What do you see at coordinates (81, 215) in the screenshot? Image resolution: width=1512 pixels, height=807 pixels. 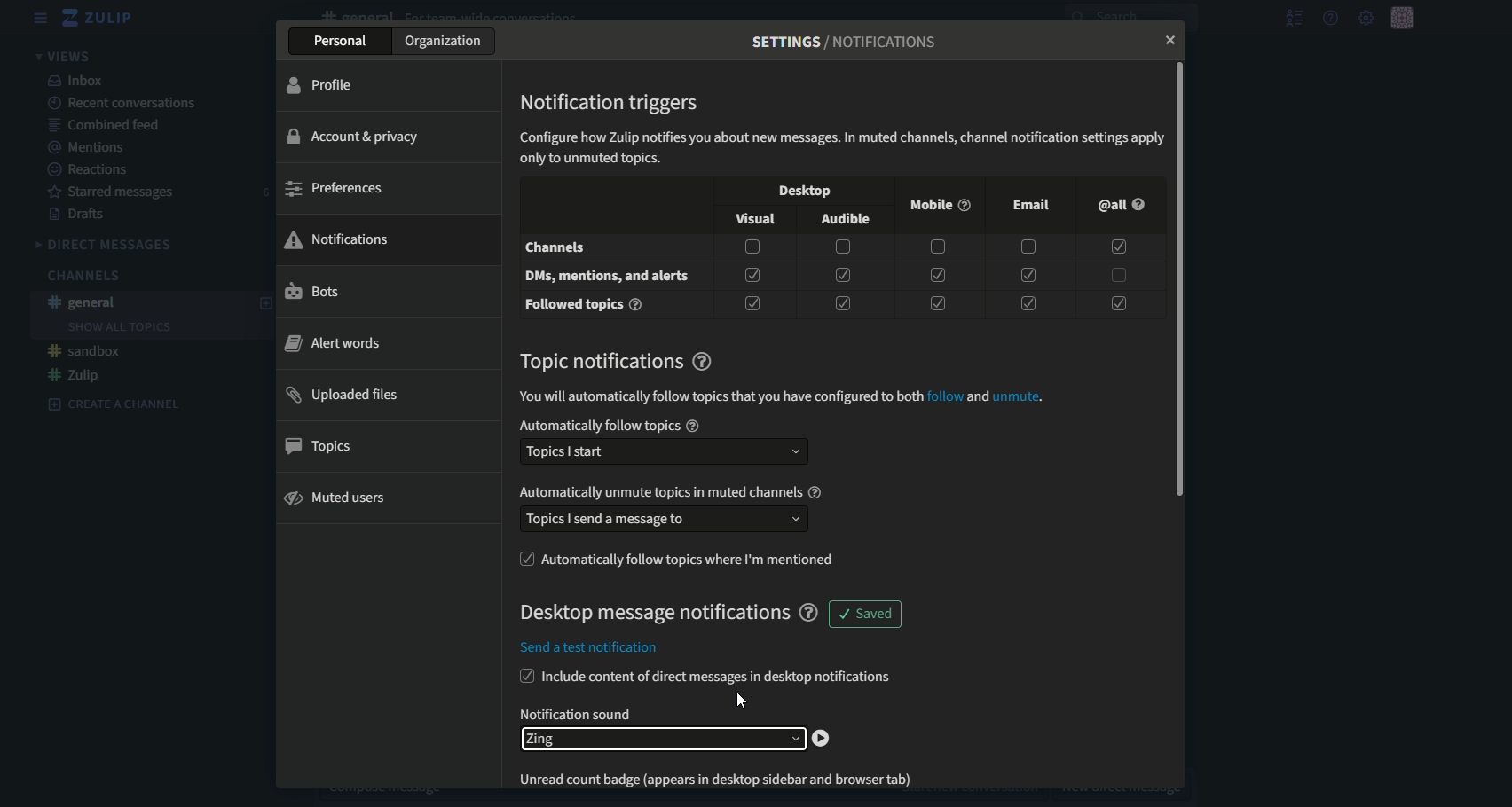 I see `Drafts` at bounding box center [81, 215].